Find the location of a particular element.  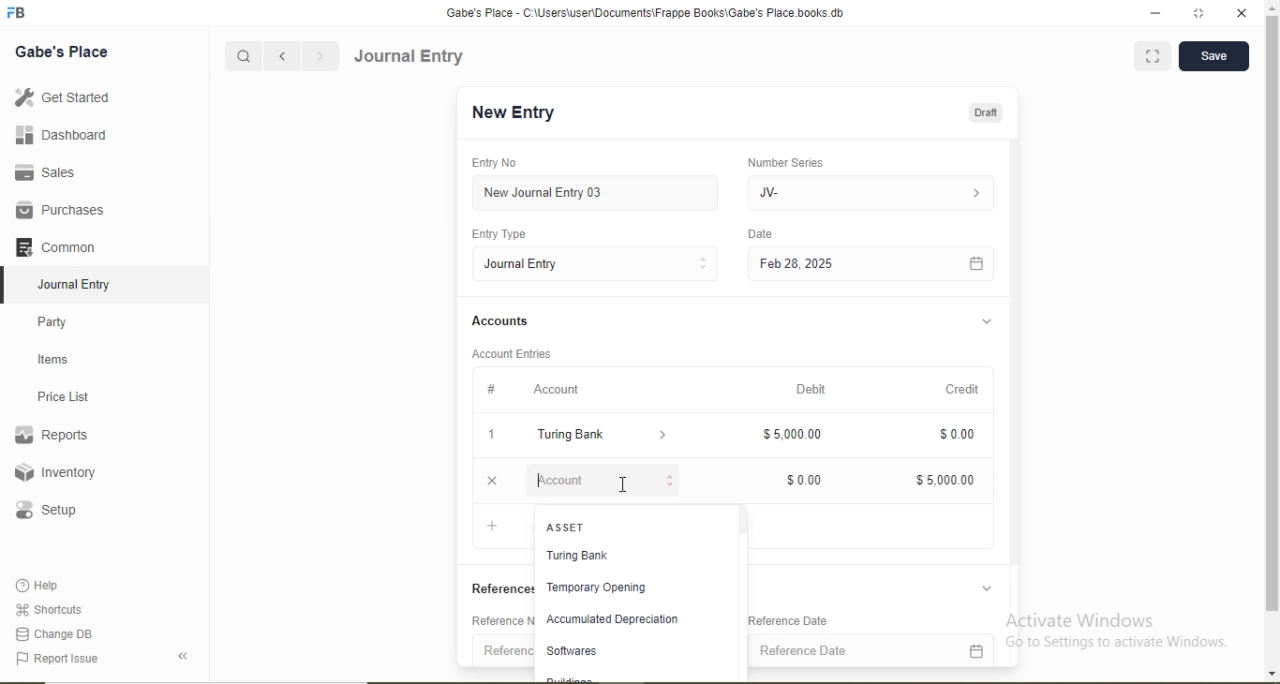

Calendar is located at coordinates (977, 264).